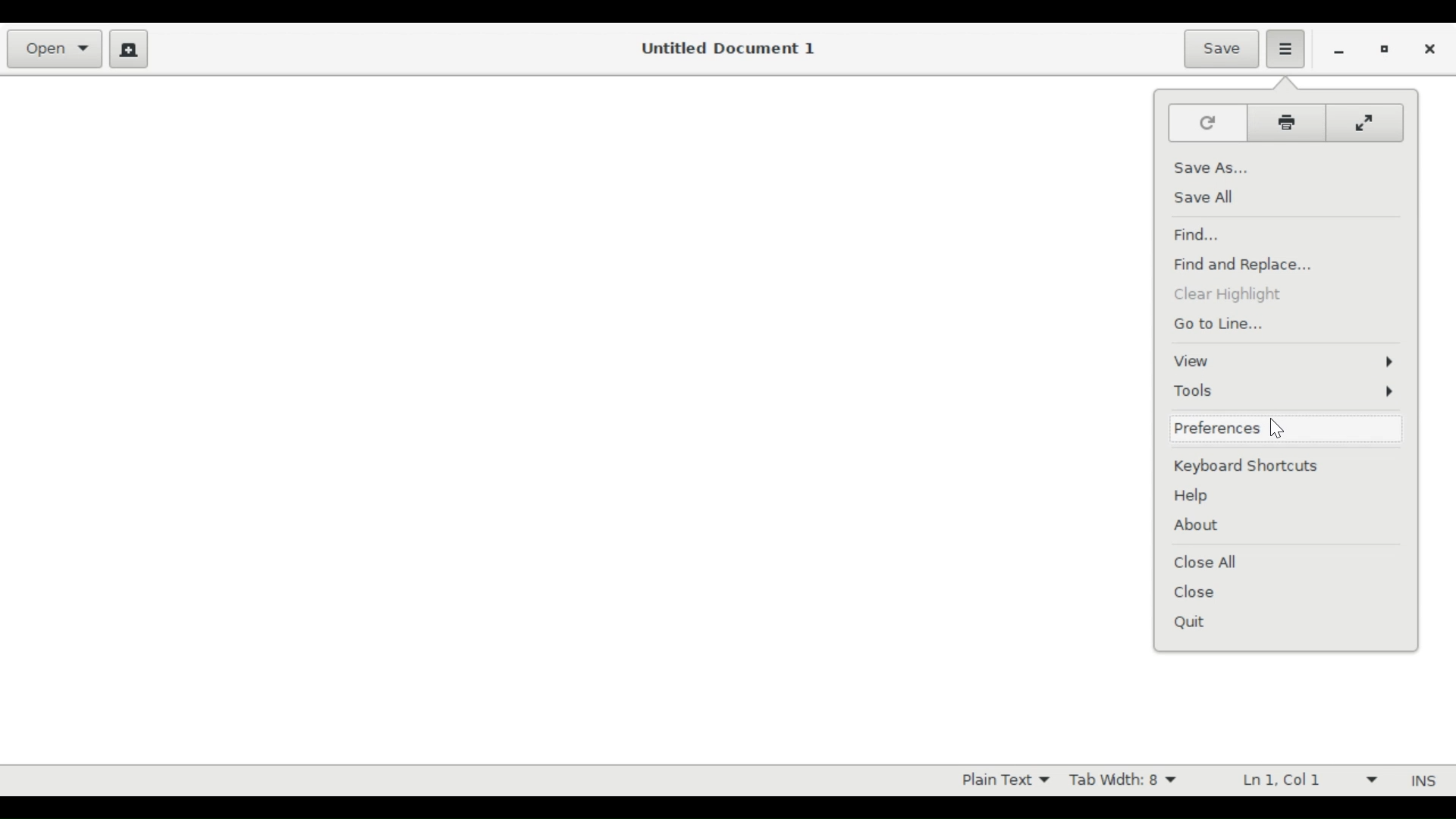  Describe the element at coordinates (1208, 123) in the screenshot. I see `Reload` at that location.